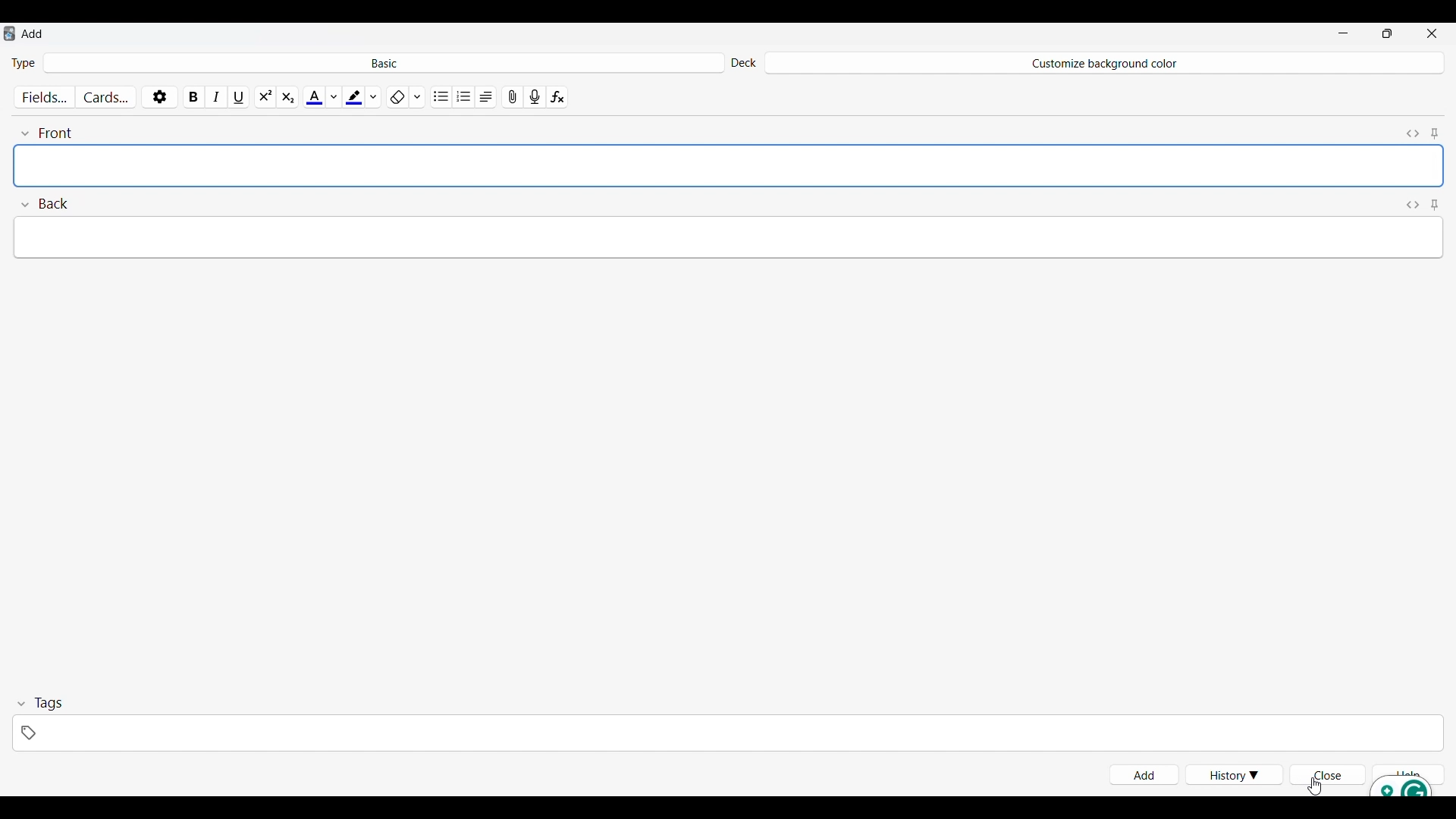 The image size is (1456, 819). Describe the element at coordinates (46, 95) in the screenshot. I see `Customize fields` at that location.